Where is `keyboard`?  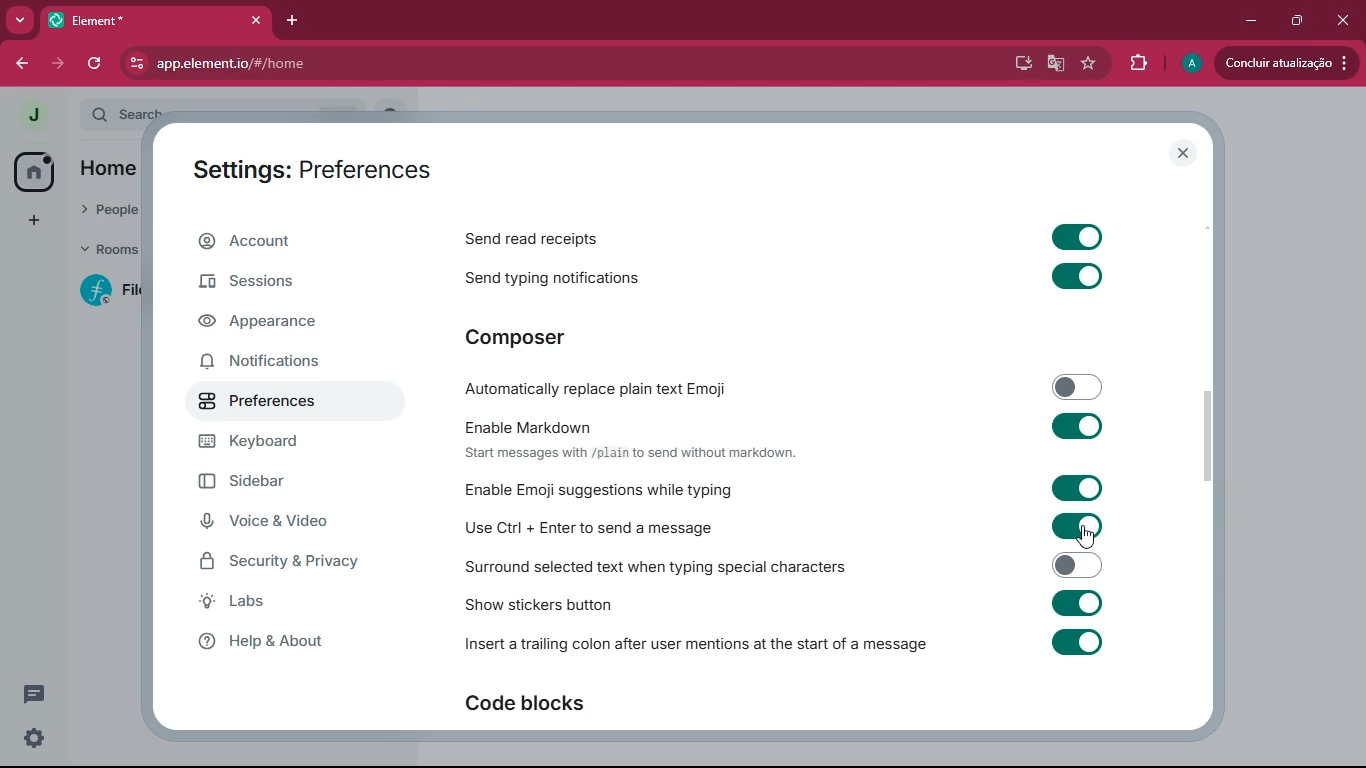 keyboard is located at coordinates (278, 445).